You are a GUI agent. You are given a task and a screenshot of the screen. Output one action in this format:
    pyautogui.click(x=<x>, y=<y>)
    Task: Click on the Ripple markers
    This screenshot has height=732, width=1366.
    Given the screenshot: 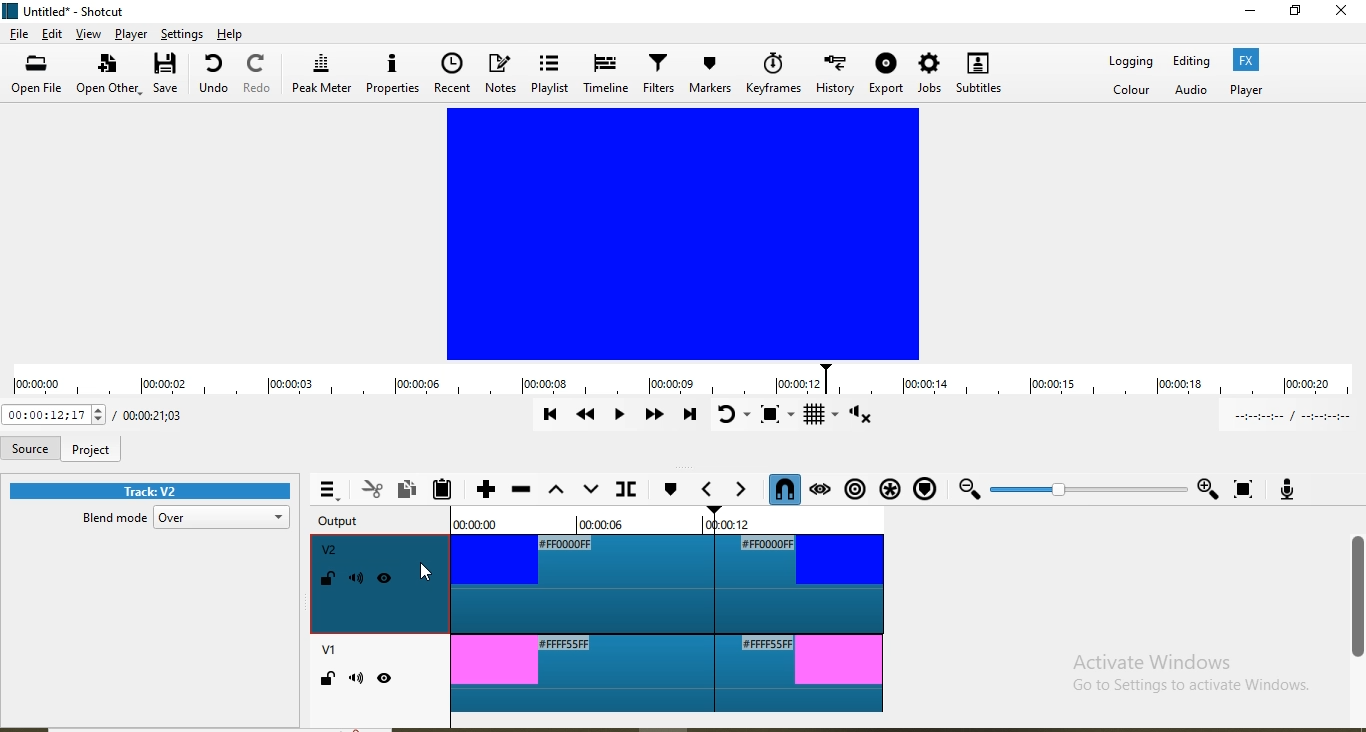 What is the action you would take?
    pyautogui.click(x=930, y=489)
    